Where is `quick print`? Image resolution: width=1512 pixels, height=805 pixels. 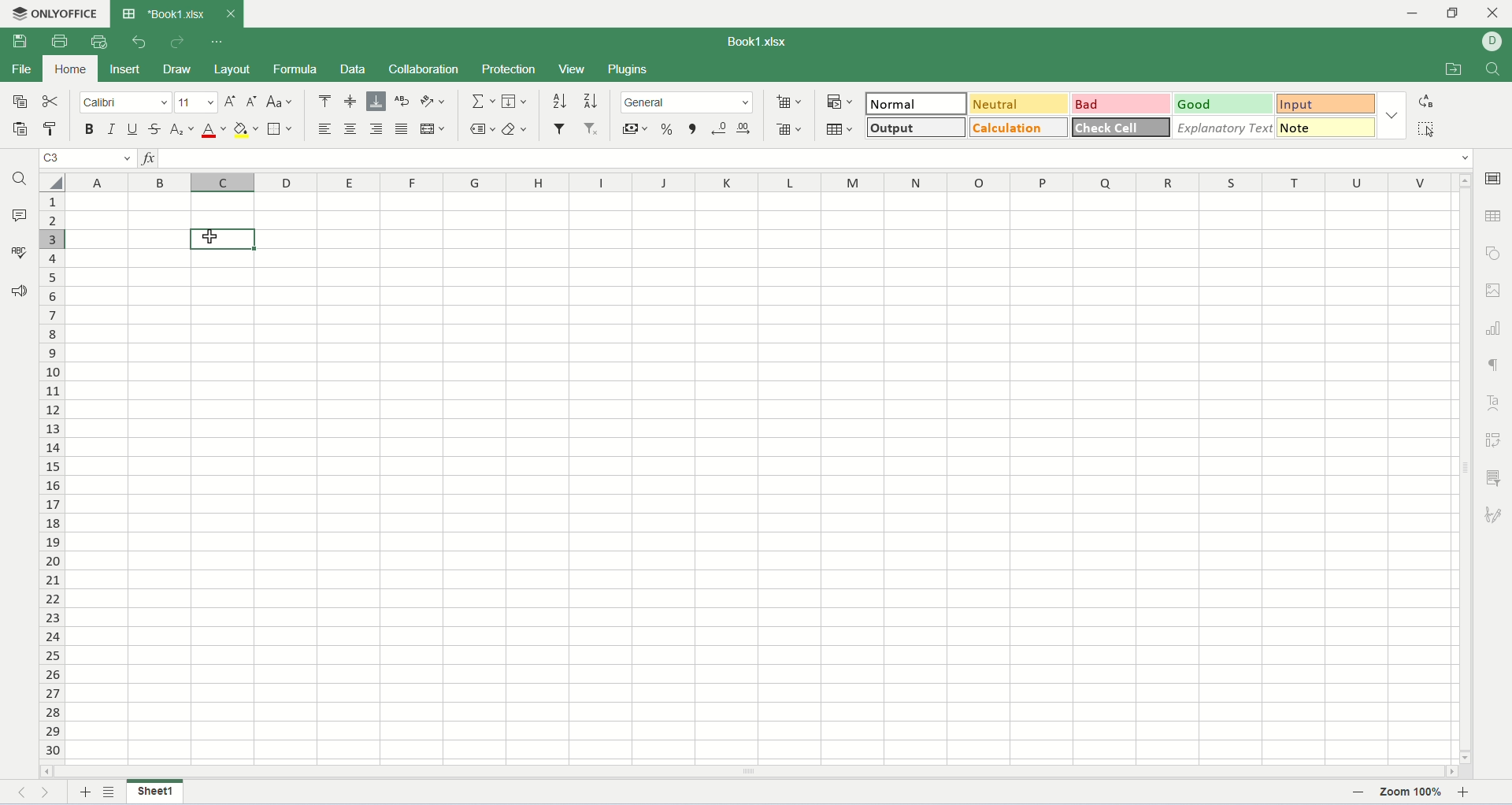
quick print is located at coordinates (101, 42).